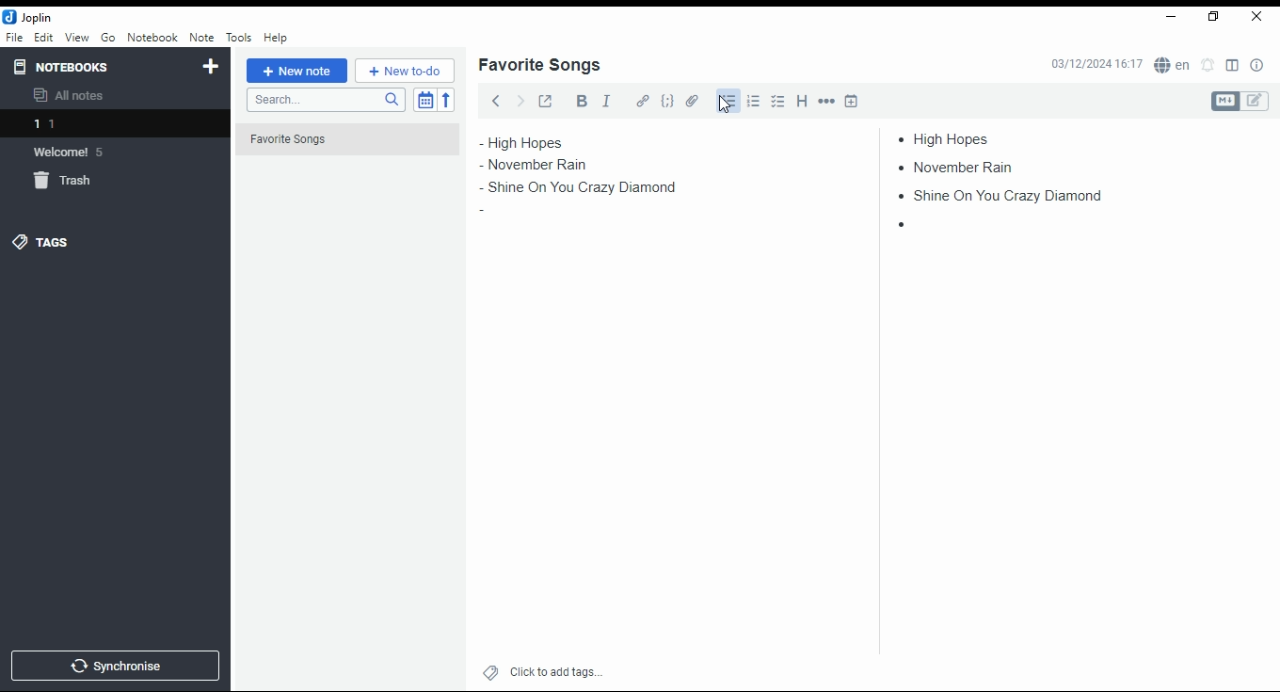 Image resolution: width=1280 pixels, height=692 pixels. Describe the element at coordinates (297, 71) in the screenshot. I see `new note` at that location.